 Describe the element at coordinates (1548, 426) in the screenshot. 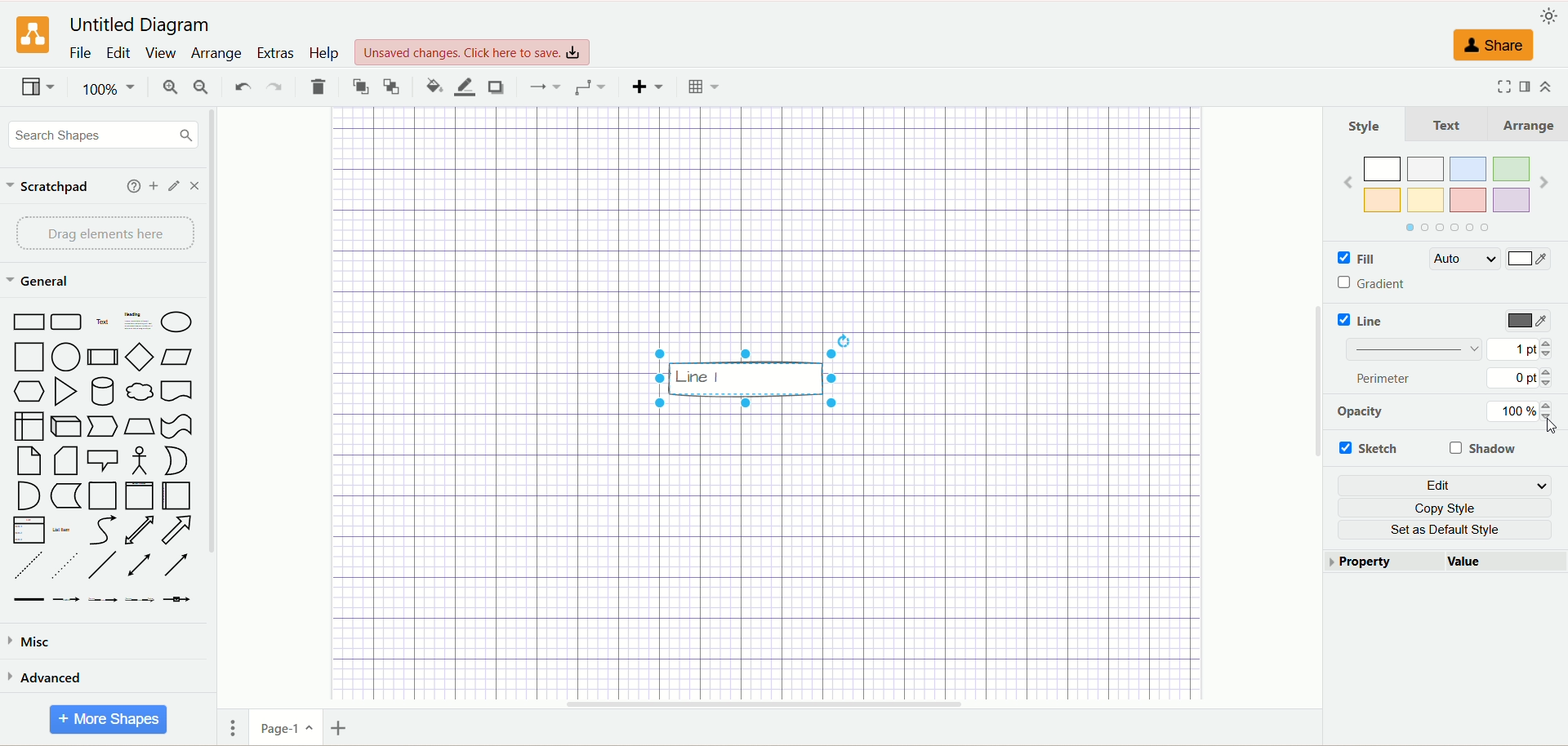

I see `Cursor at Opacity` at that location.